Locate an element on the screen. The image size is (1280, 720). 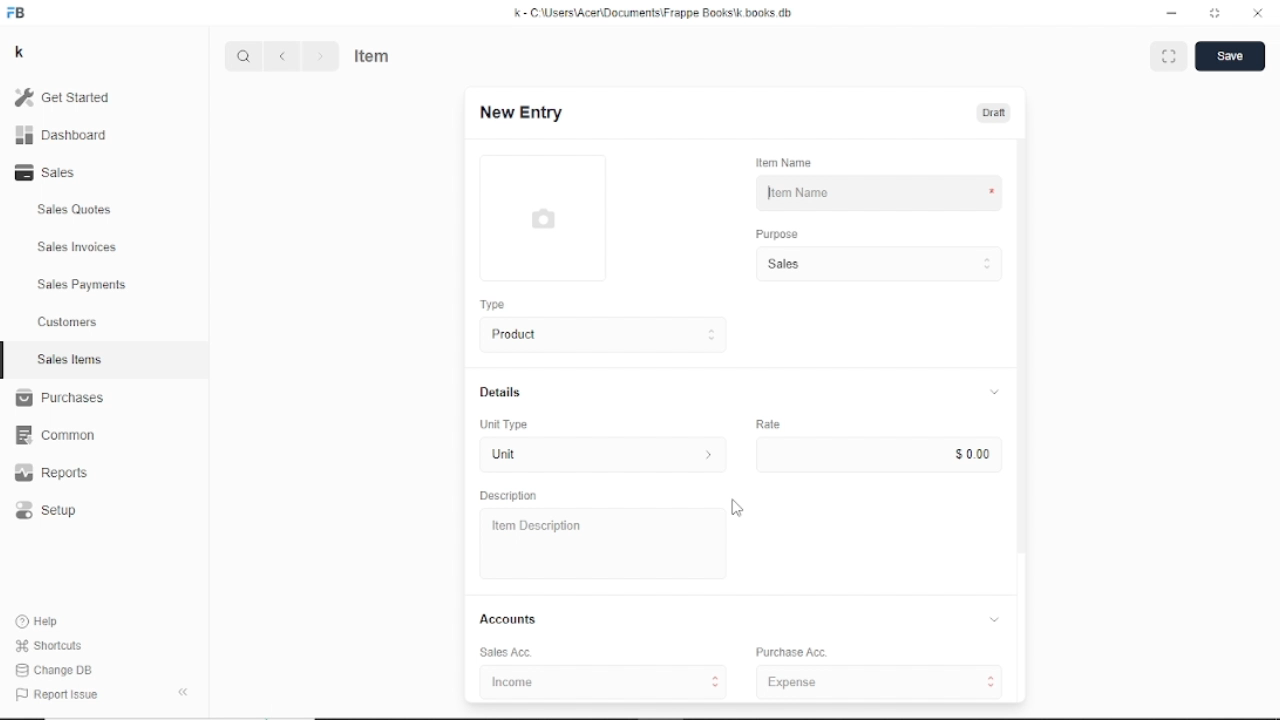
Search is located at coordinates (244, 56).